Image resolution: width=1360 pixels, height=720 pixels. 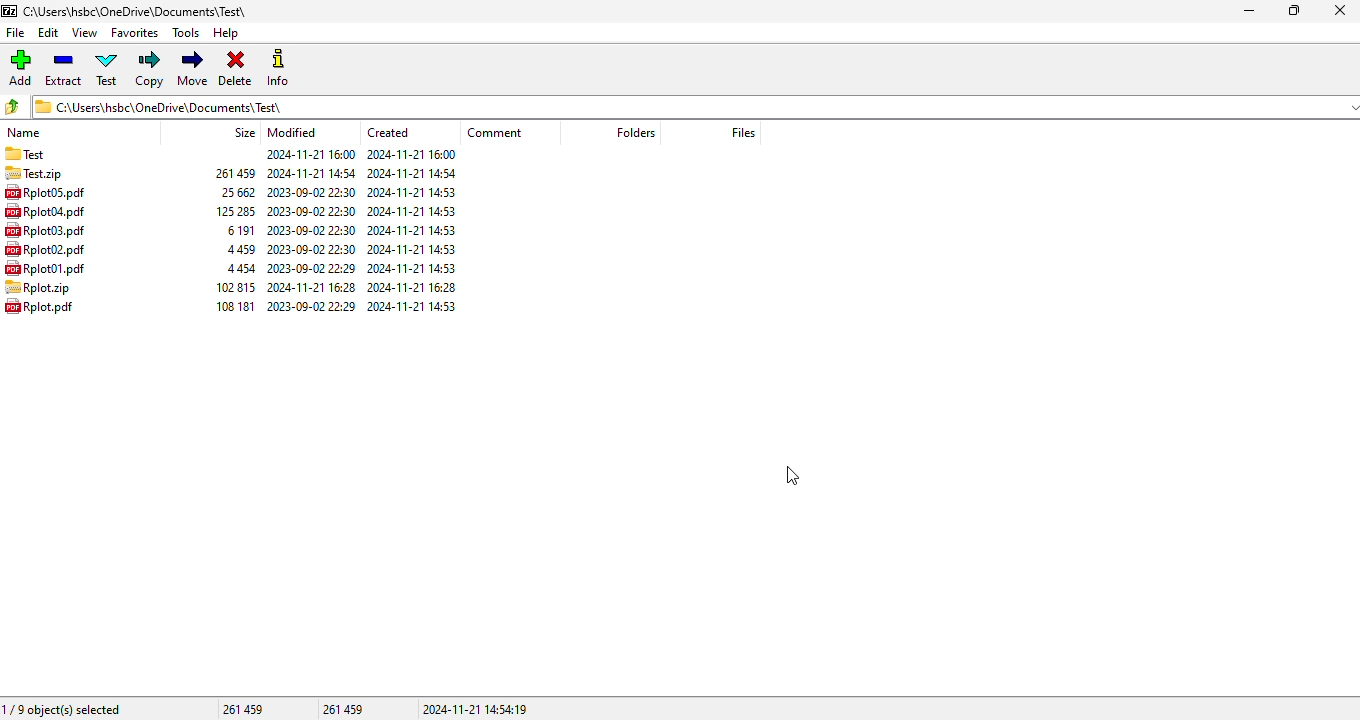 I want to click on created date & time, so click(x=412, y=173).